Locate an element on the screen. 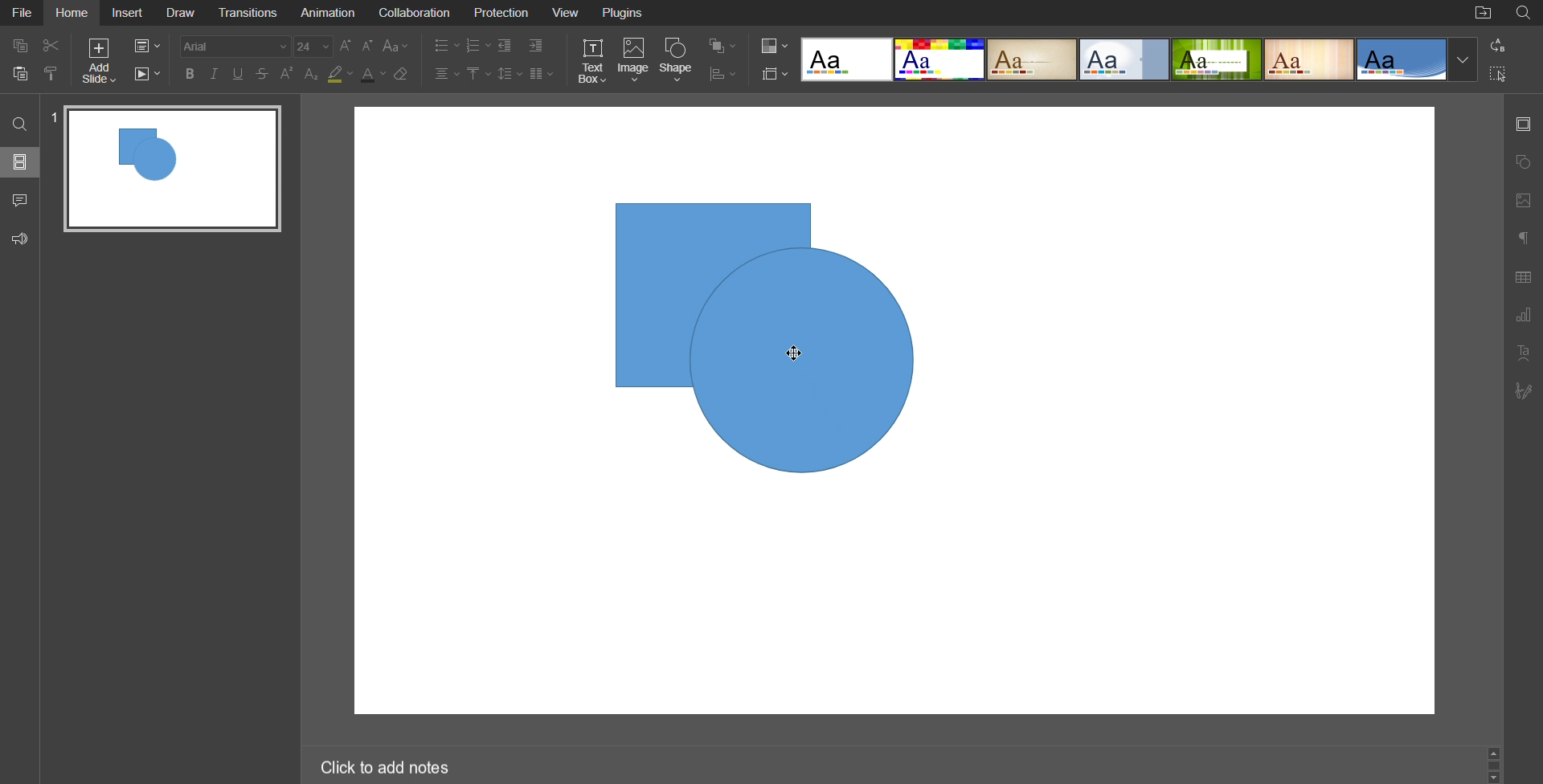 This screenshot has width=1543, height=784. Shape is located at coordinates (679, 62).